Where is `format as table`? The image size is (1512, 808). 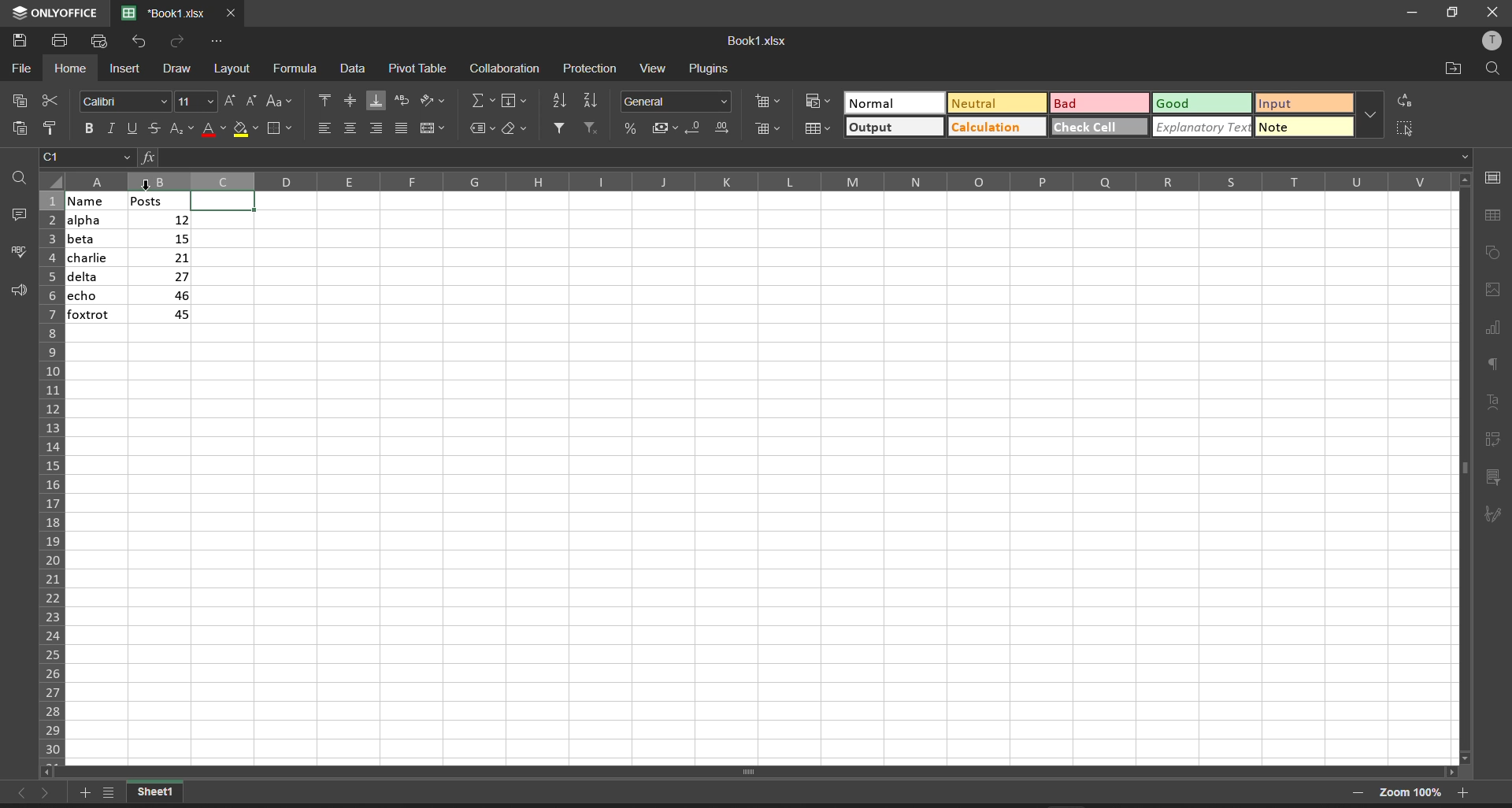
format as table is located at coordinates (821, 130).